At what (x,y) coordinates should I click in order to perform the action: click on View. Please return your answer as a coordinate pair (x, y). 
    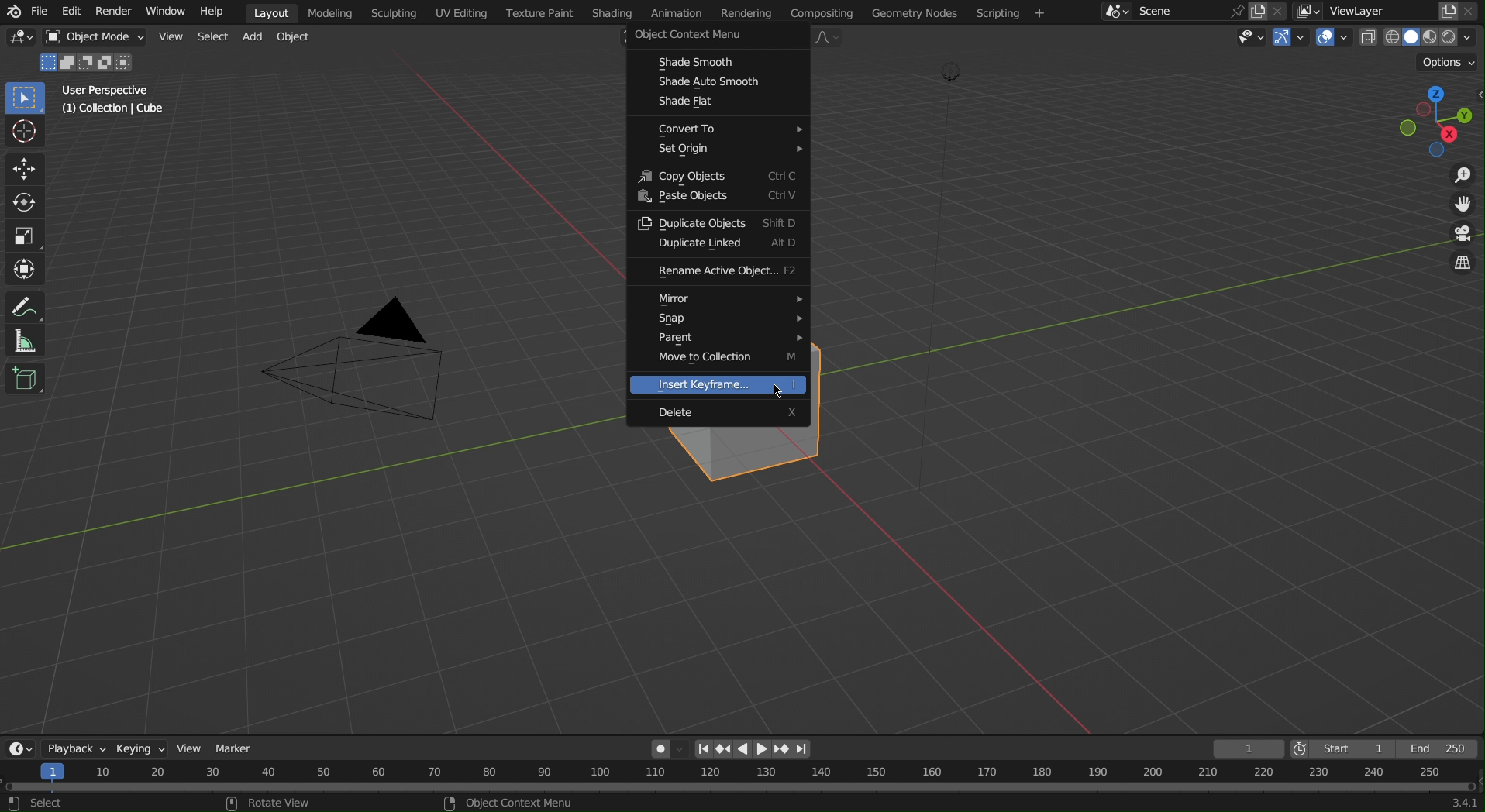
    Looking at the image, I should click on (190, 749).